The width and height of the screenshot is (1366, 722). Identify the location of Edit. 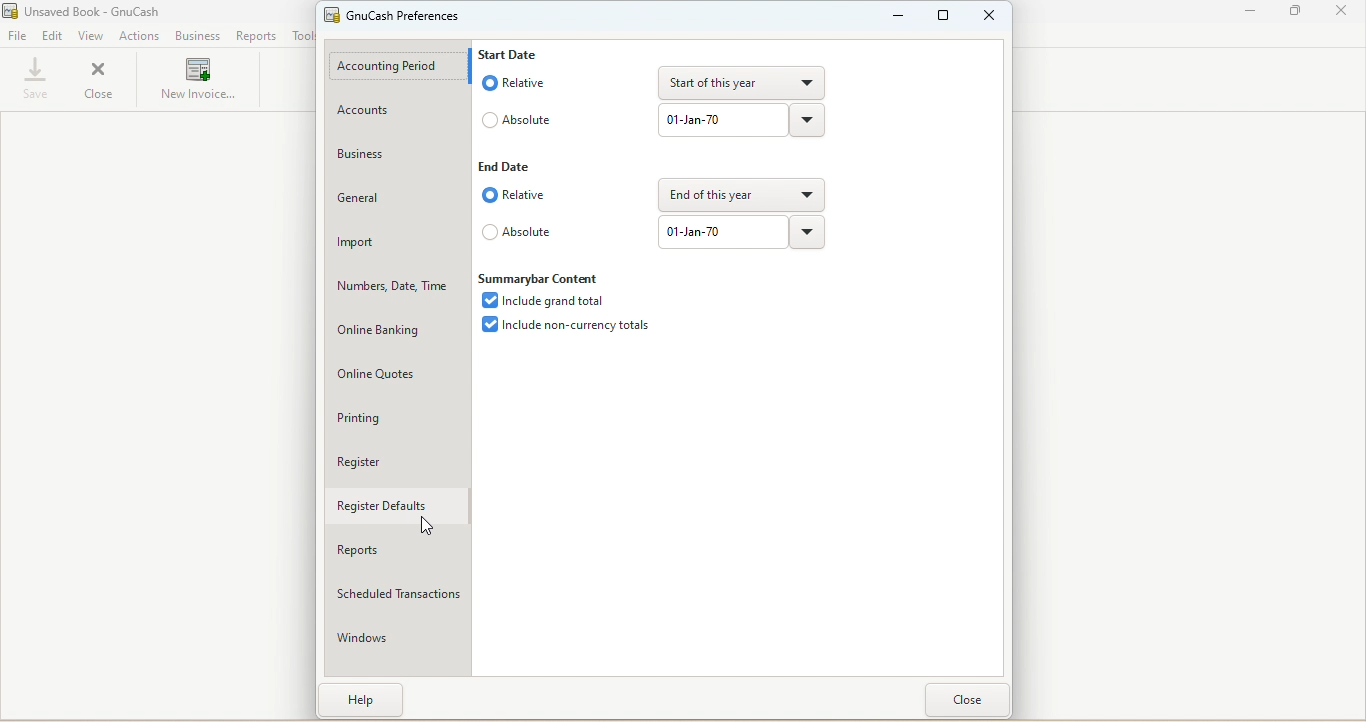
(53, 37).